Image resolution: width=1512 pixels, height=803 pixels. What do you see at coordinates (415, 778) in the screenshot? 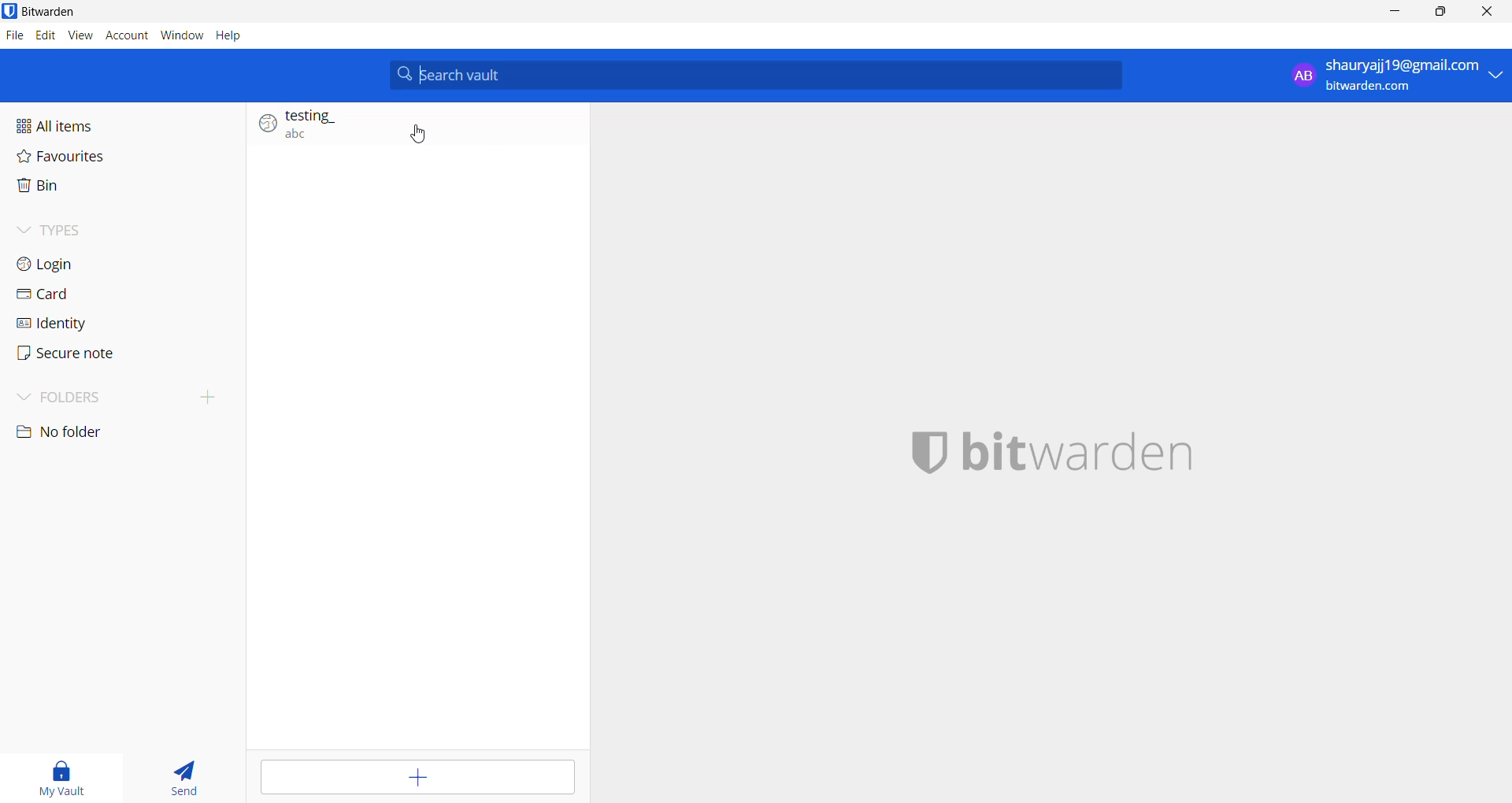
I see `Add item` at bounding box center [415, 778].